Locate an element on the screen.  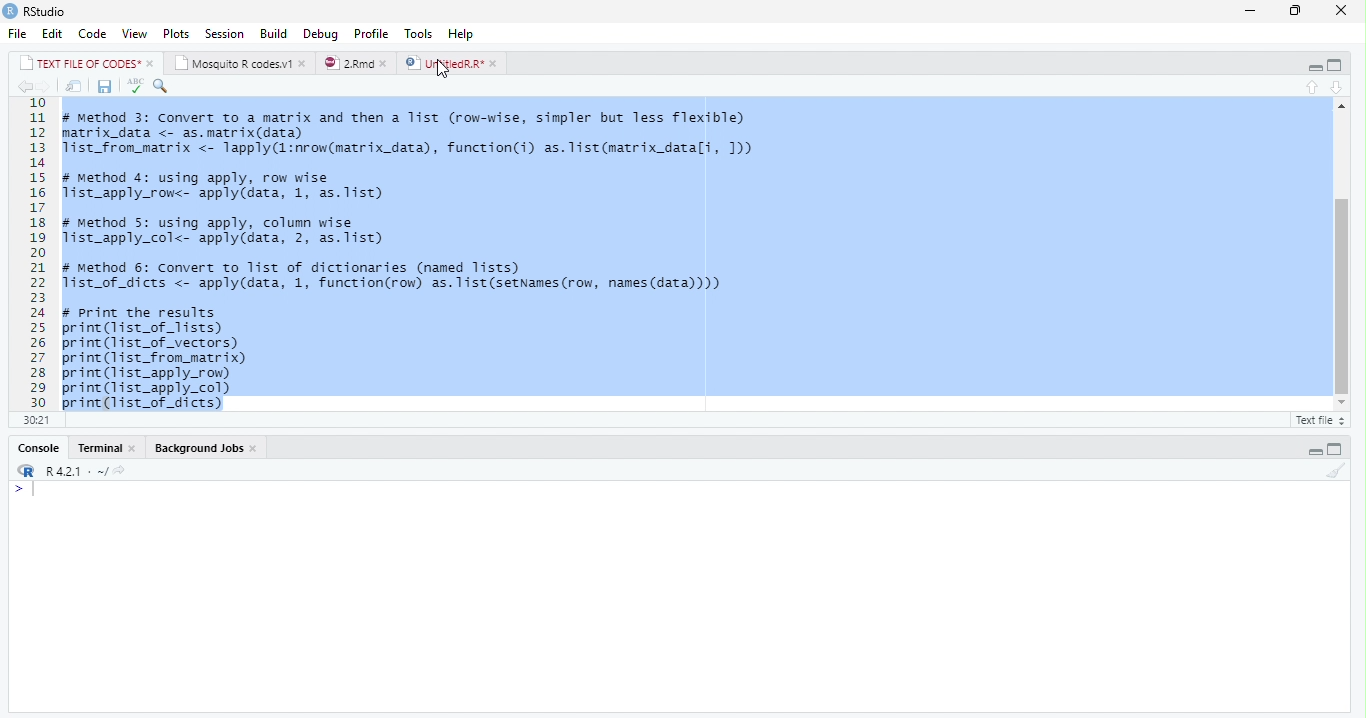
Tools is located at coordinates (421, 33).